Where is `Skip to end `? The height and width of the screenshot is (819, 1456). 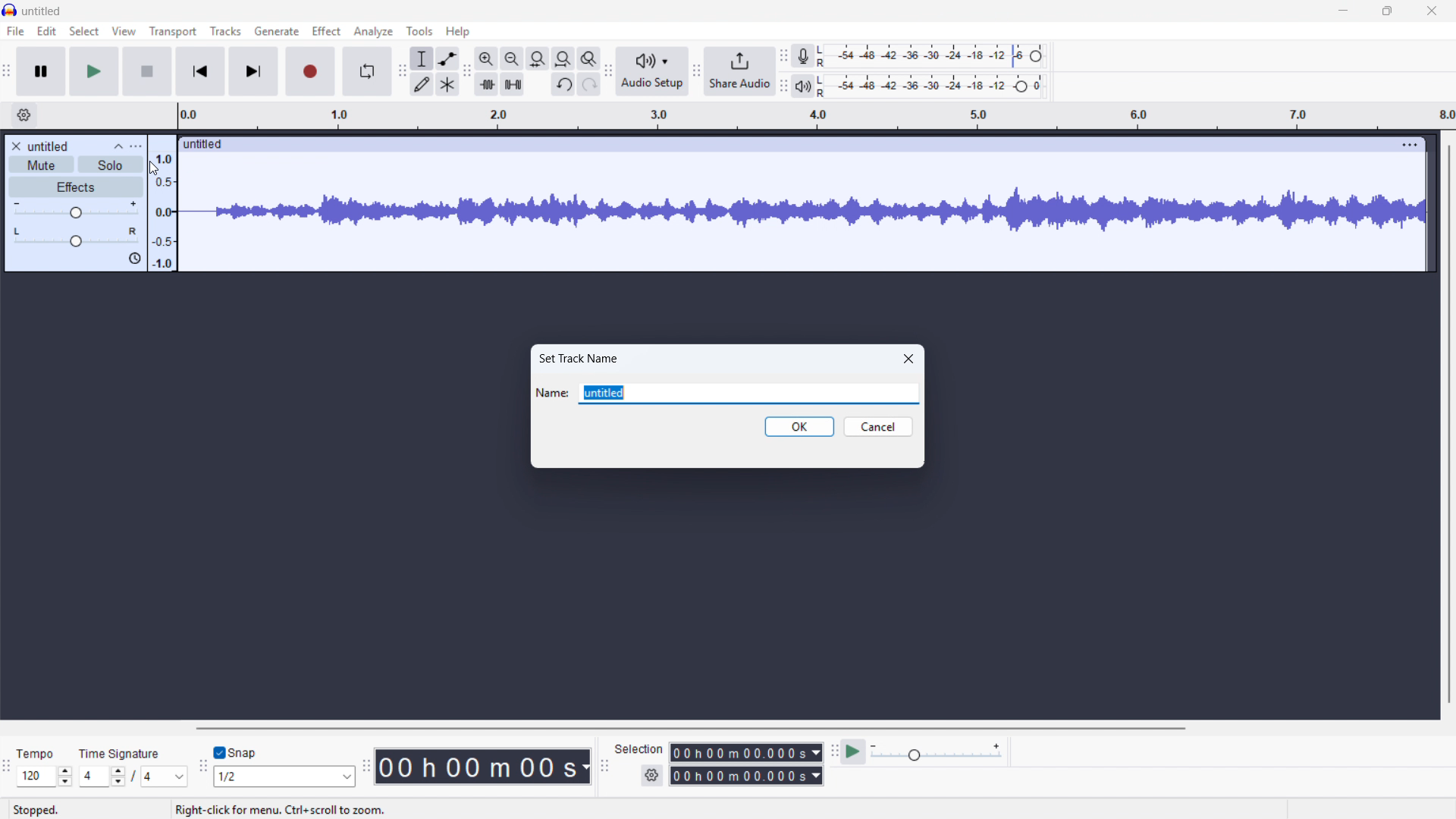
Skip to end  is located at coordinates (253, 72).